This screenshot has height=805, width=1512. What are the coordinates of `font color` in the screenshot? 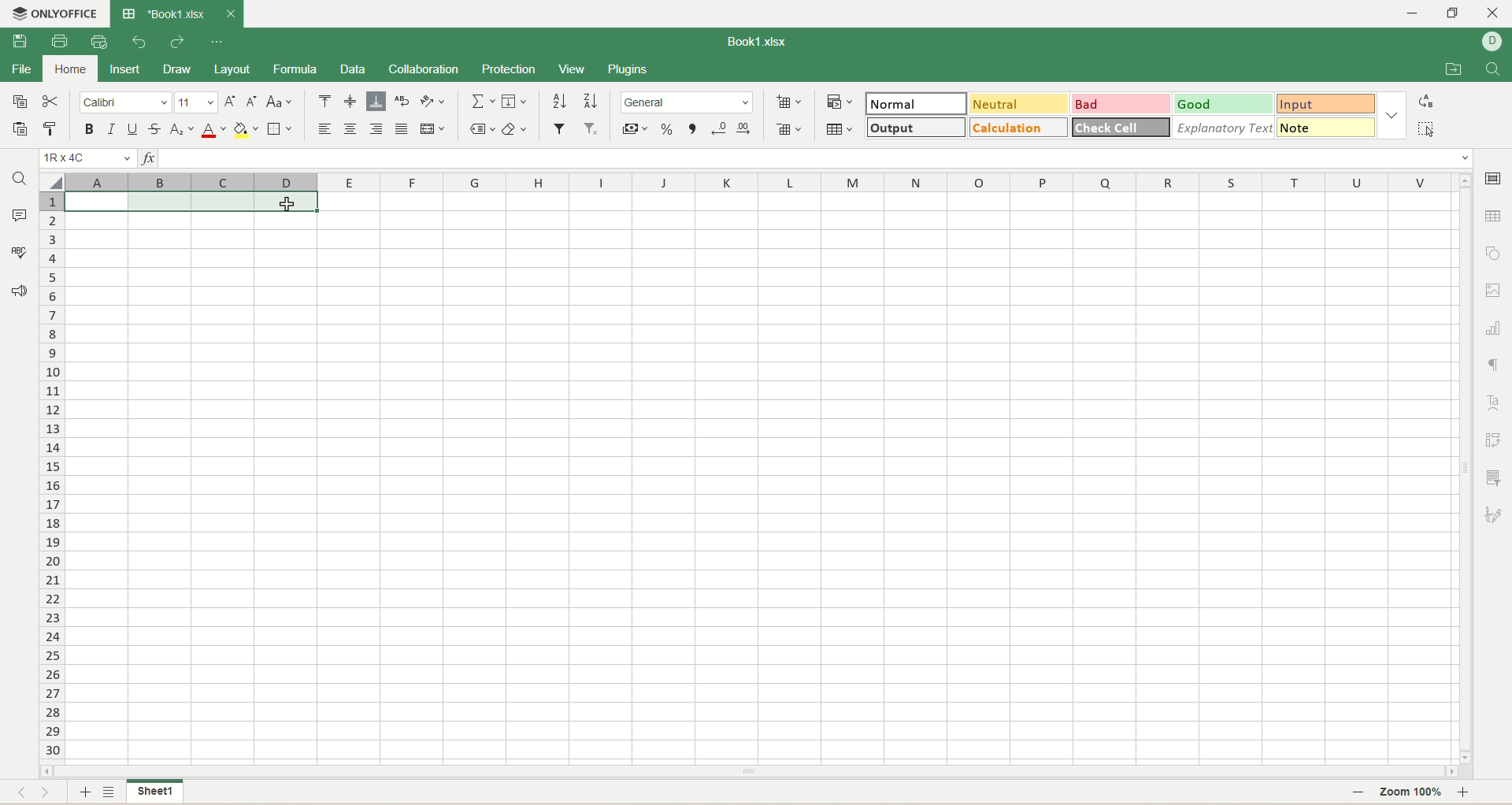 It's located at (213, 131).